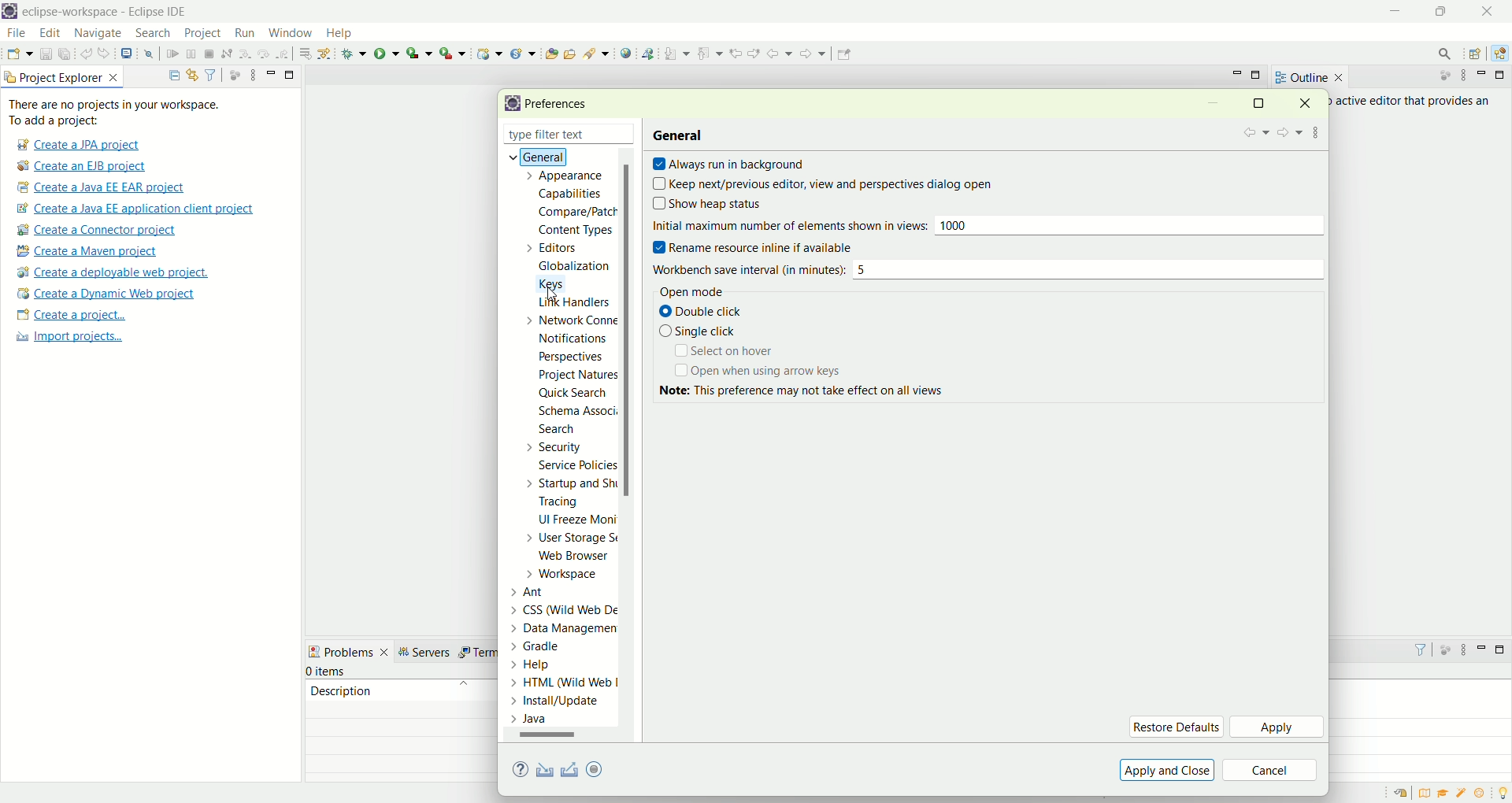  What do you see at coordinates (566, 574) in the screenshot?
I see `workspace` at bounding box center [566, 574].